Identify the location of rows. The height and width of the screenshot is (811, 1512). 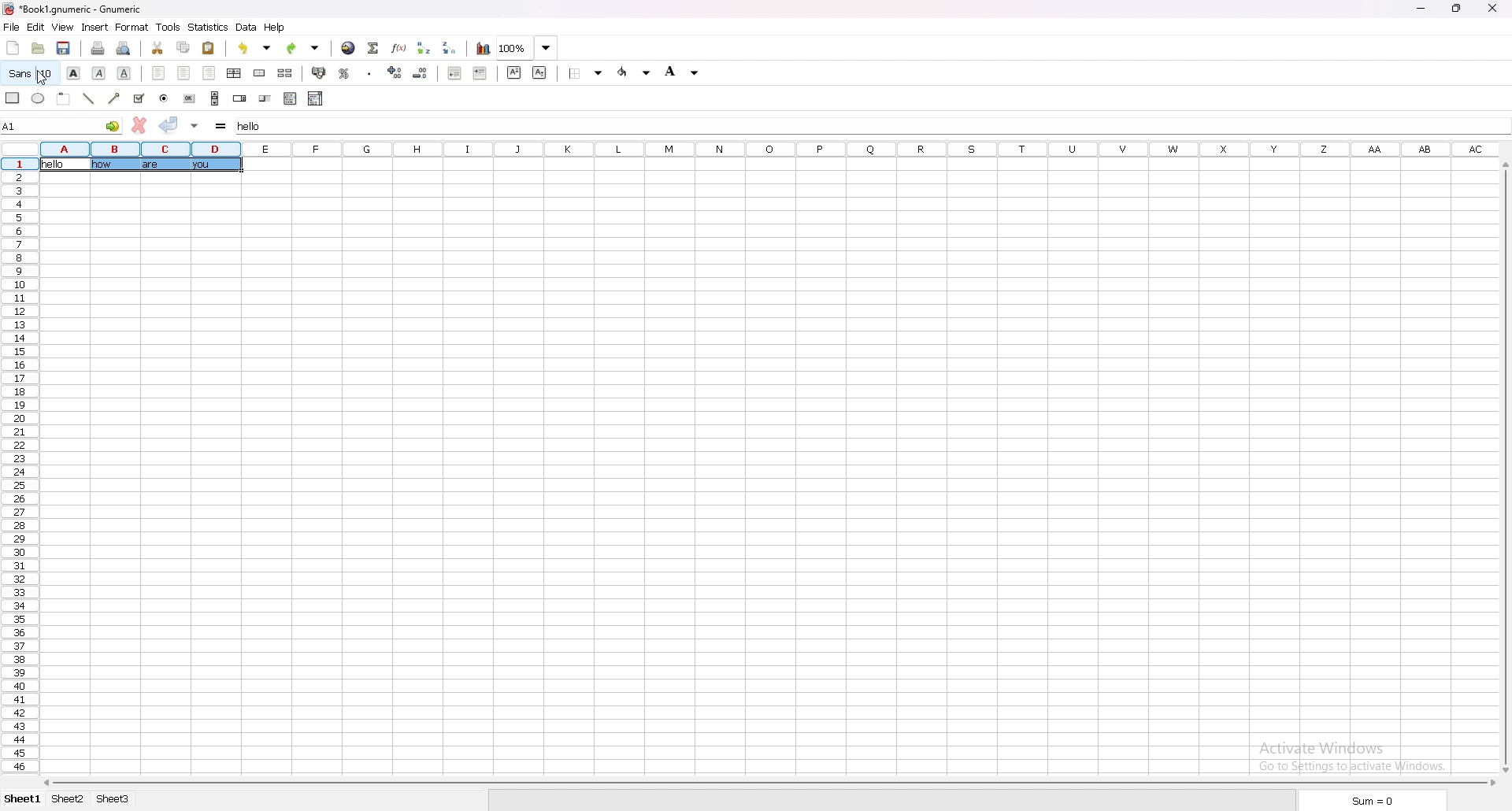
(764, 147).